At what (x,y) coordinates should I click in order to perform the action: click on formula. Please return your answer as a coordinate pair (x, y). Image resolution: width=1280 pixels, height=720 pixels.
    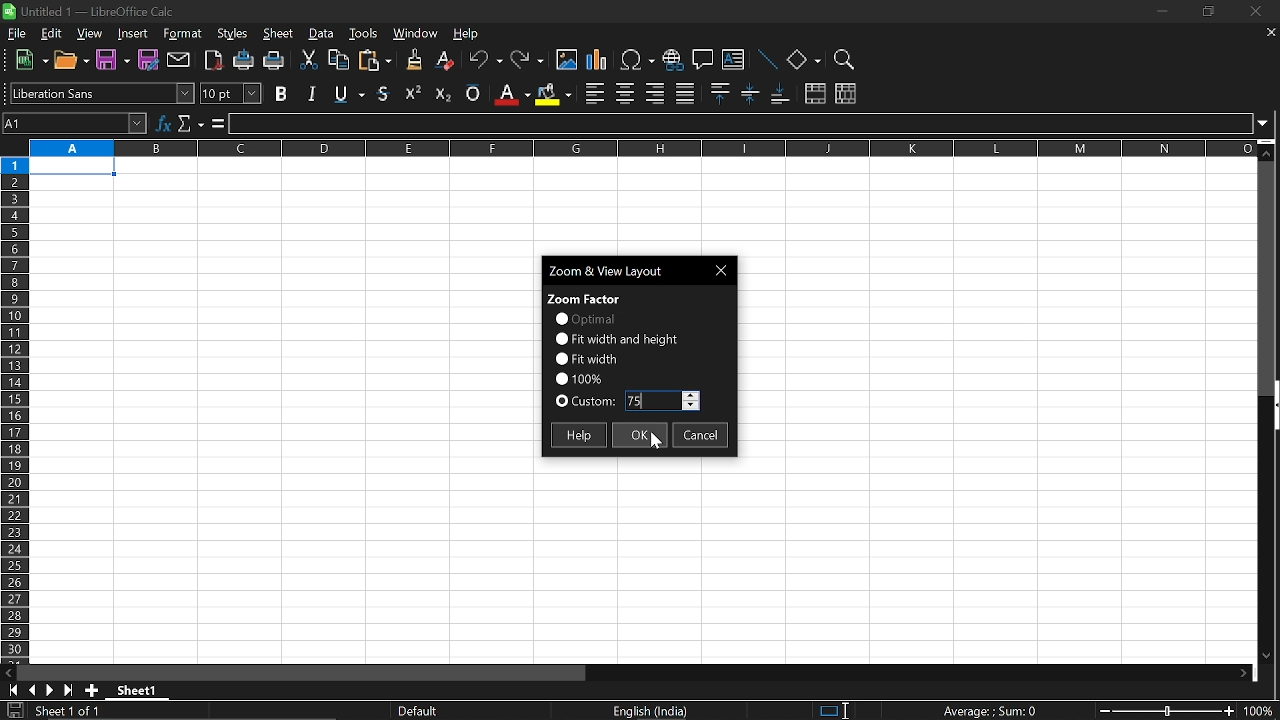
    Looking at the image, I should click on (216, 124).